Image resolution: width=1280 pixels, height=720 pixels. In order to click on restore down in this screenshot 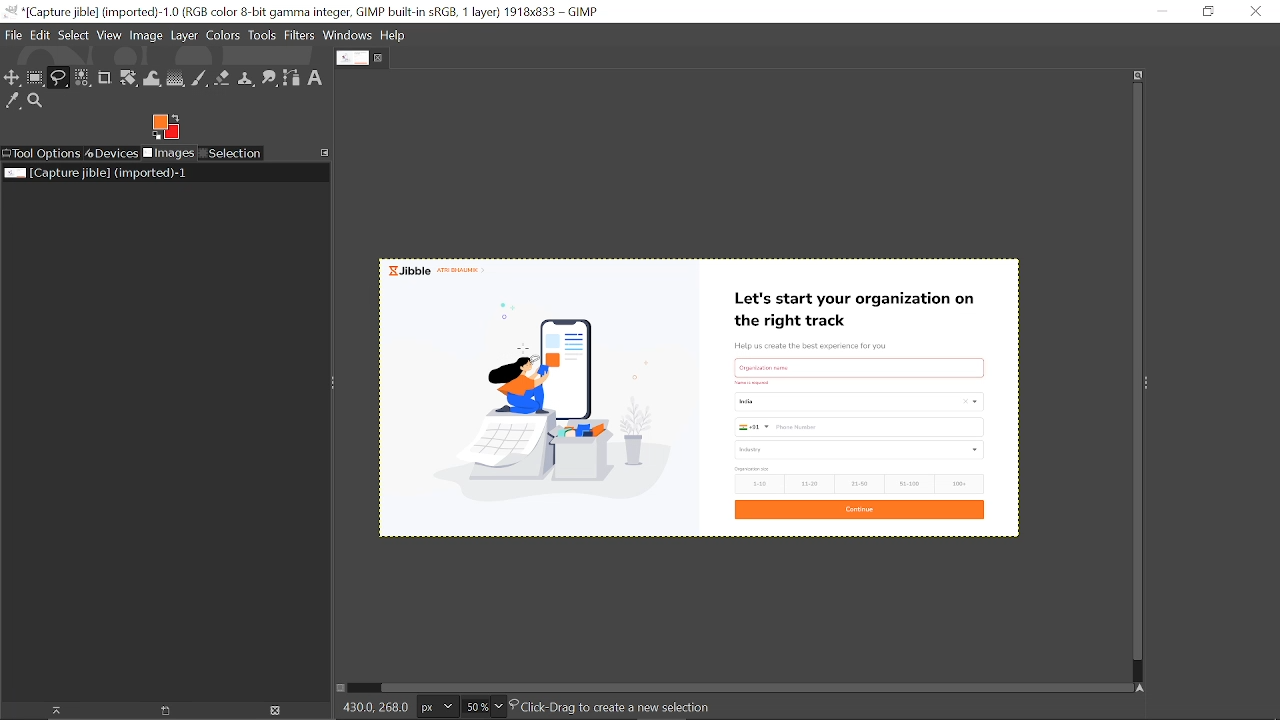, I will do `click(1207, 11)`.